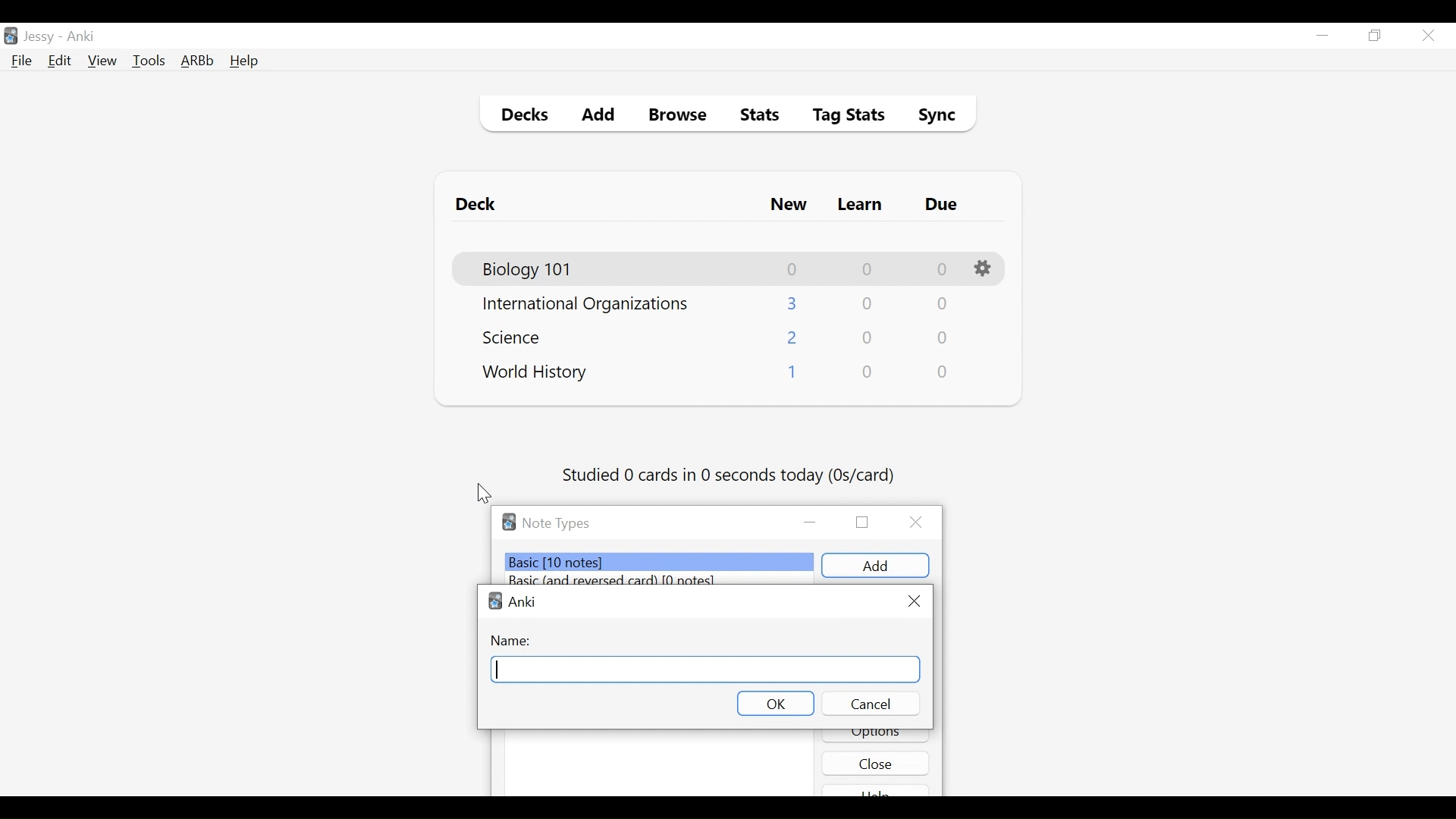 This screenshot has height=819, width=1456. I want to click on Restore, so click(862, 521).